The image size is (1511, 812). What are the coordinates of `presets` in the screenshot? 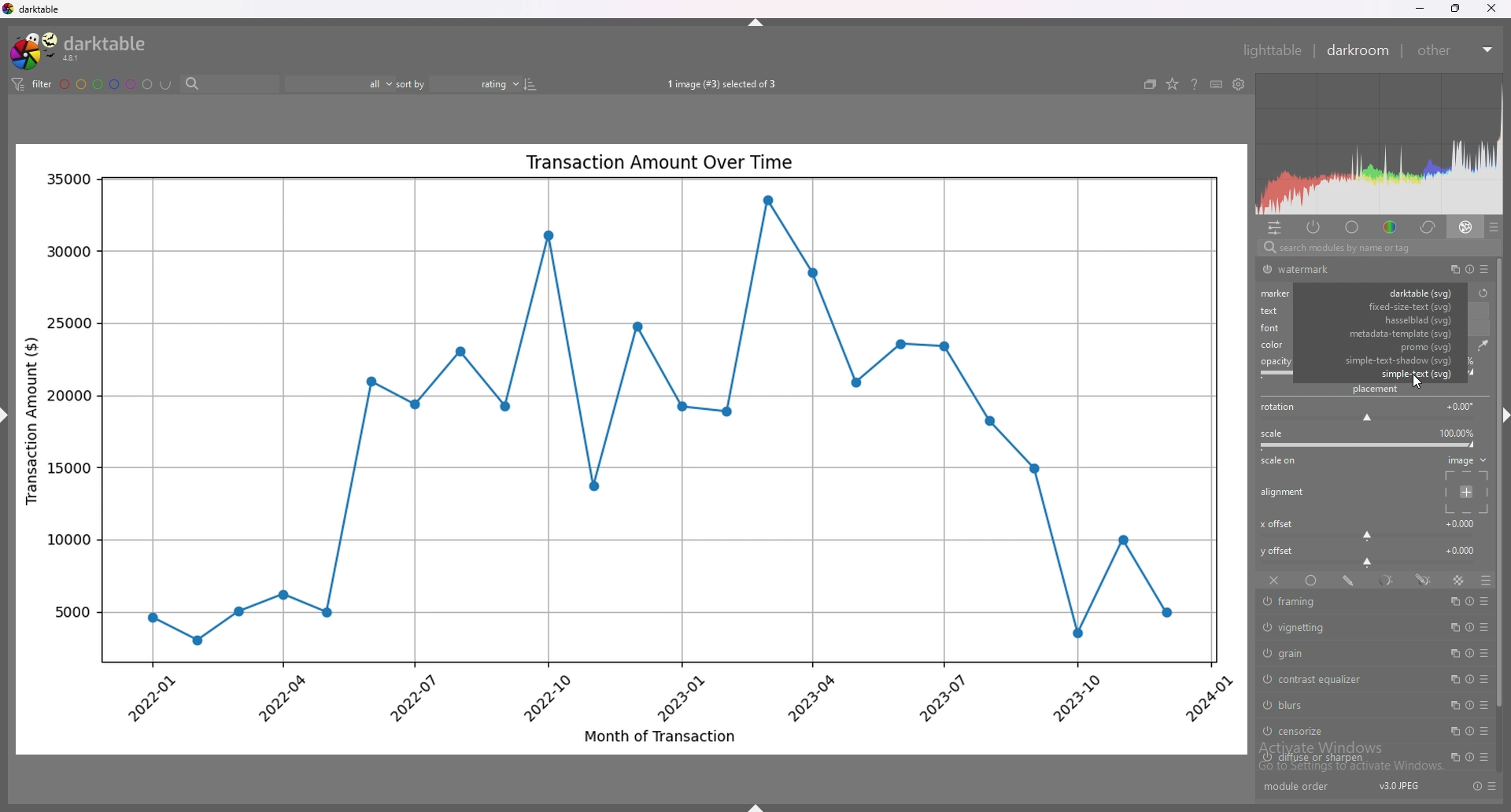 It's located at (1484, 269).